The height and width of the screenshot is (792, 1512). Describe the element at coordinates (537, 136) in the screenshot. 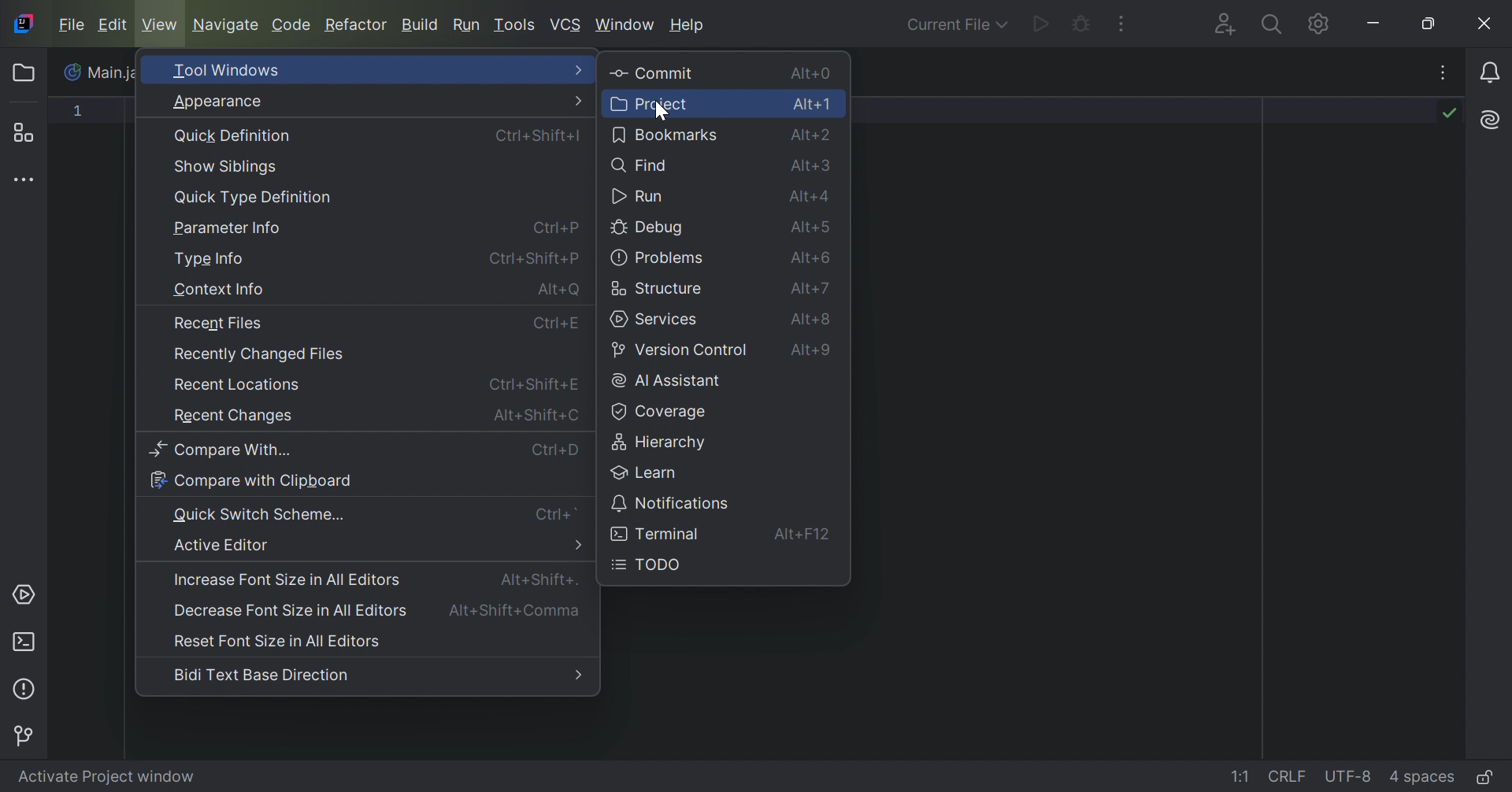

I see `Ctrl+Shift+I` at that location.